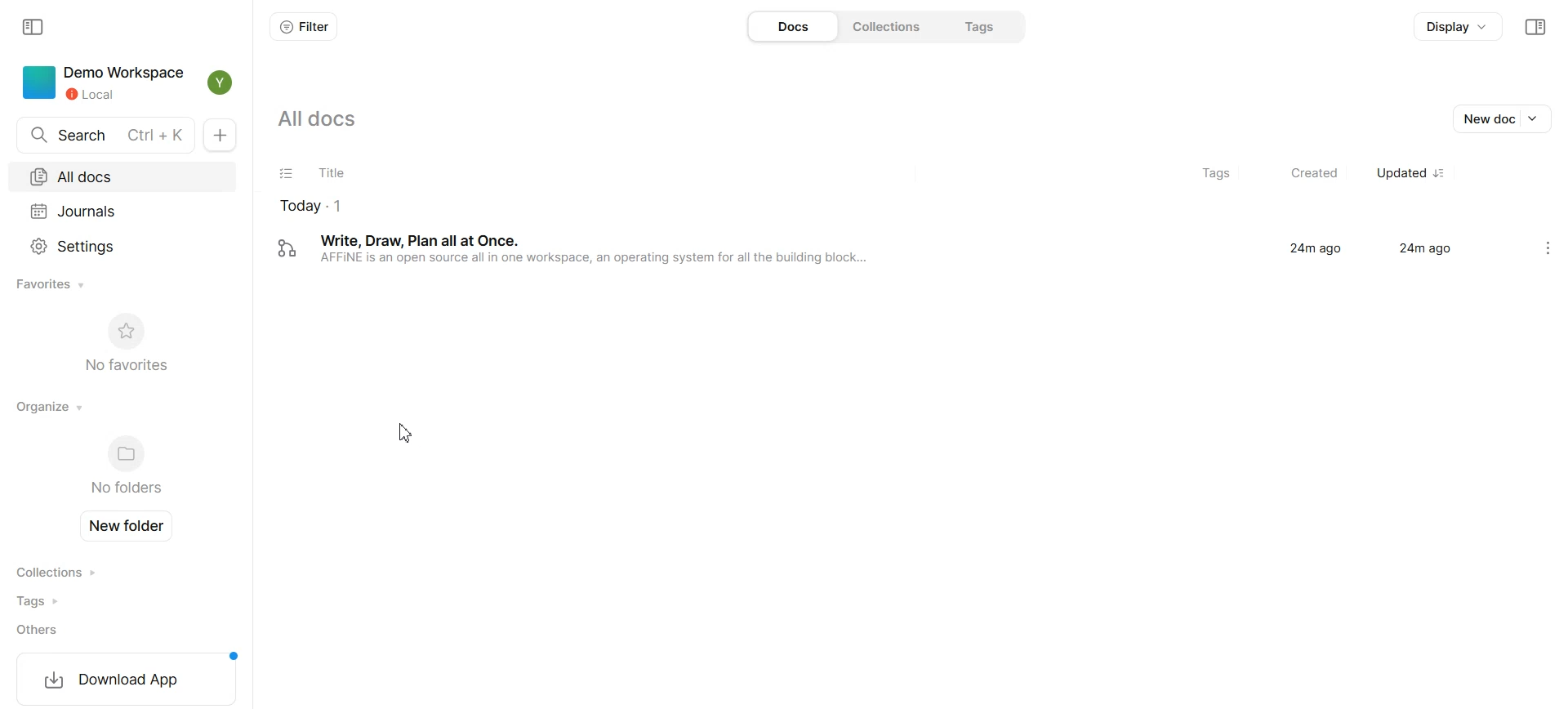 This screenshot has width=1568, height=709. What do you see at coordinates (408, 435) in the screenshot?
I see `Cursor` at bounding box center [408, 435].